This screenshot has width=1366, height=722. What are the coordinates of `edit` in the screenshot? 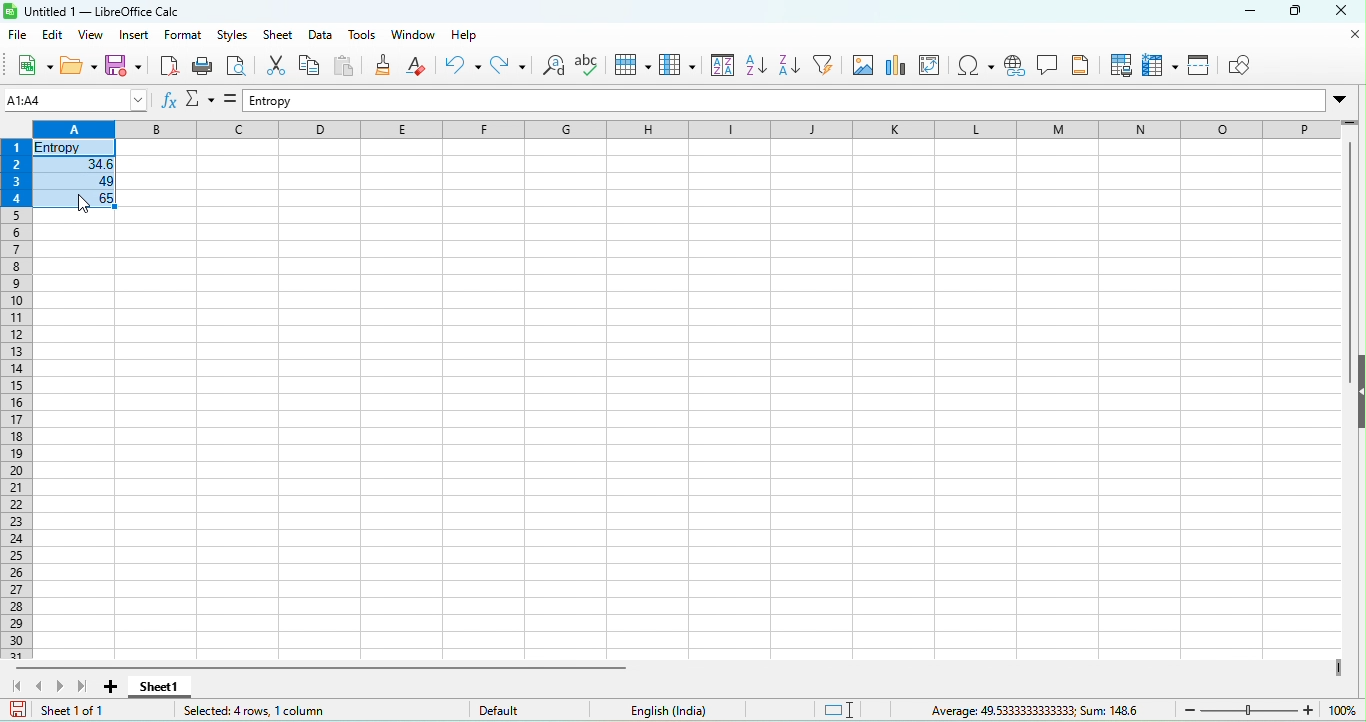 It's located at (54, 37).